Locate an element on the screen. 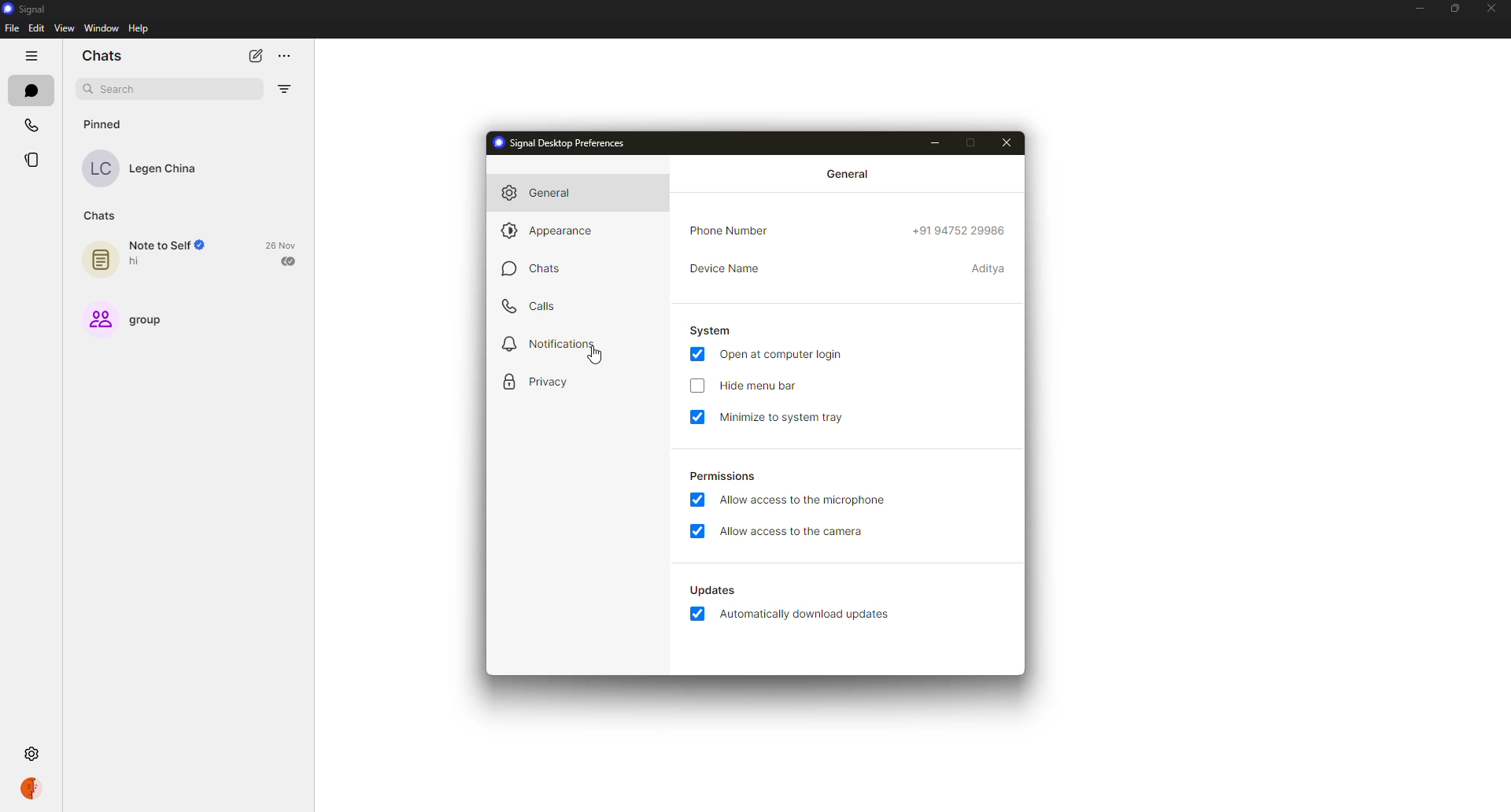  file is located at coordinates (12, 28).